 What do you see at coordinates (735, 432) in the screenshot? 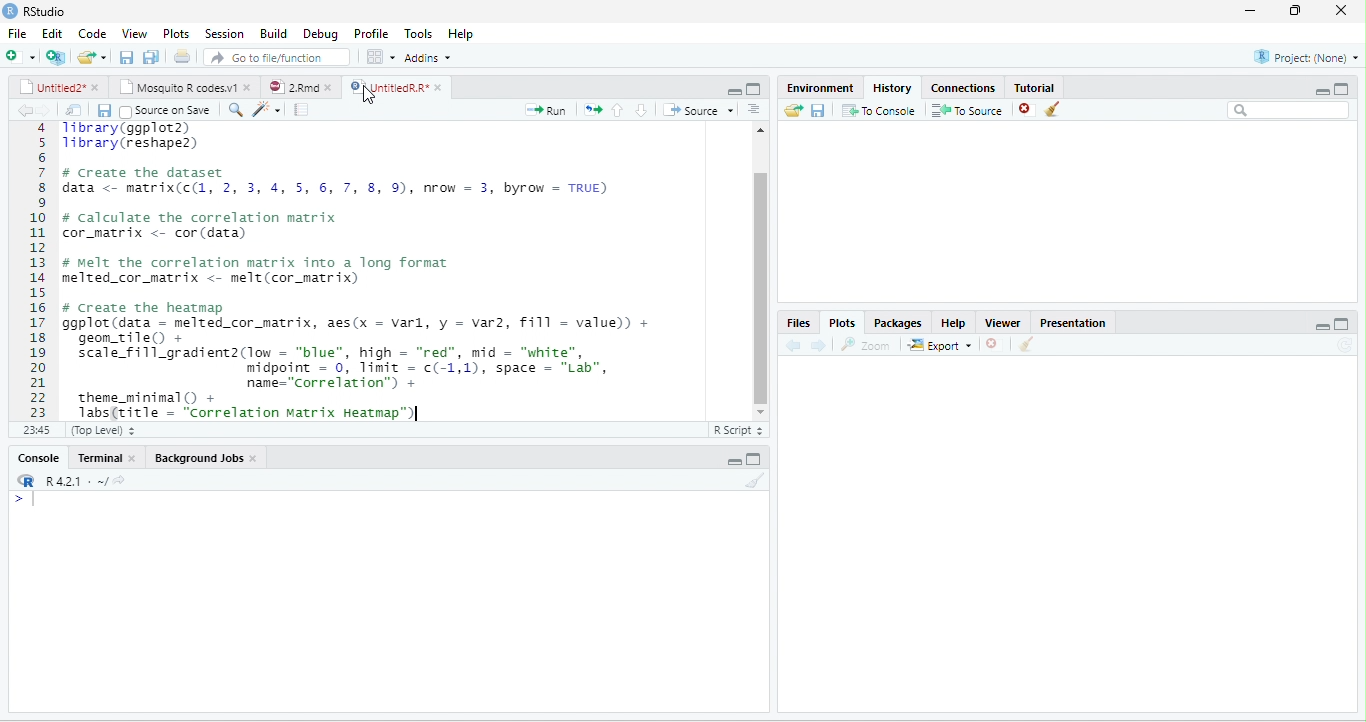
I see `R SCRIPT` at bounding box center [735, 432].